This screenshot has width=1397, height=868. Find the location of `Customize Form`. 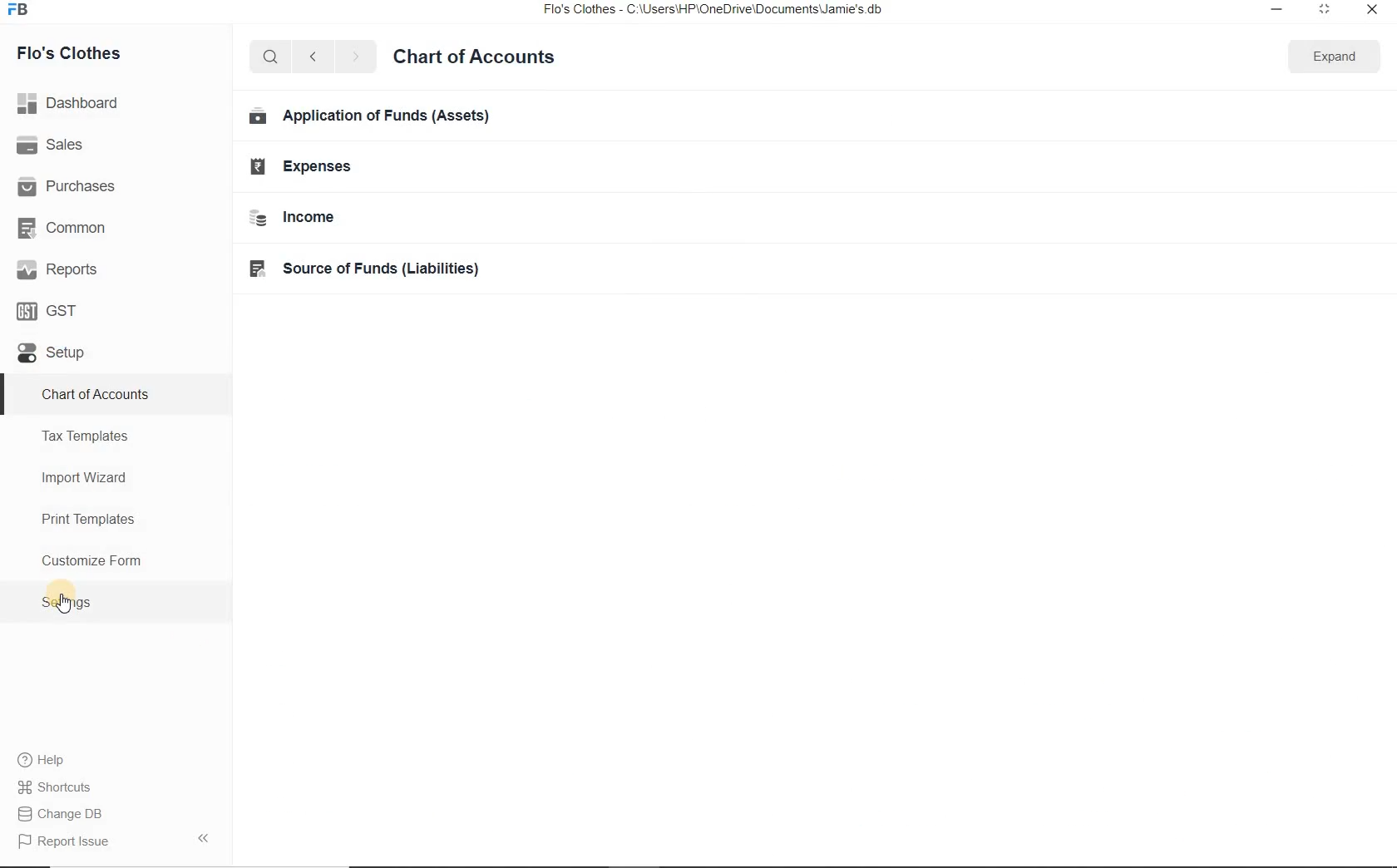

Customize Form is located at coordinates (91, 561).